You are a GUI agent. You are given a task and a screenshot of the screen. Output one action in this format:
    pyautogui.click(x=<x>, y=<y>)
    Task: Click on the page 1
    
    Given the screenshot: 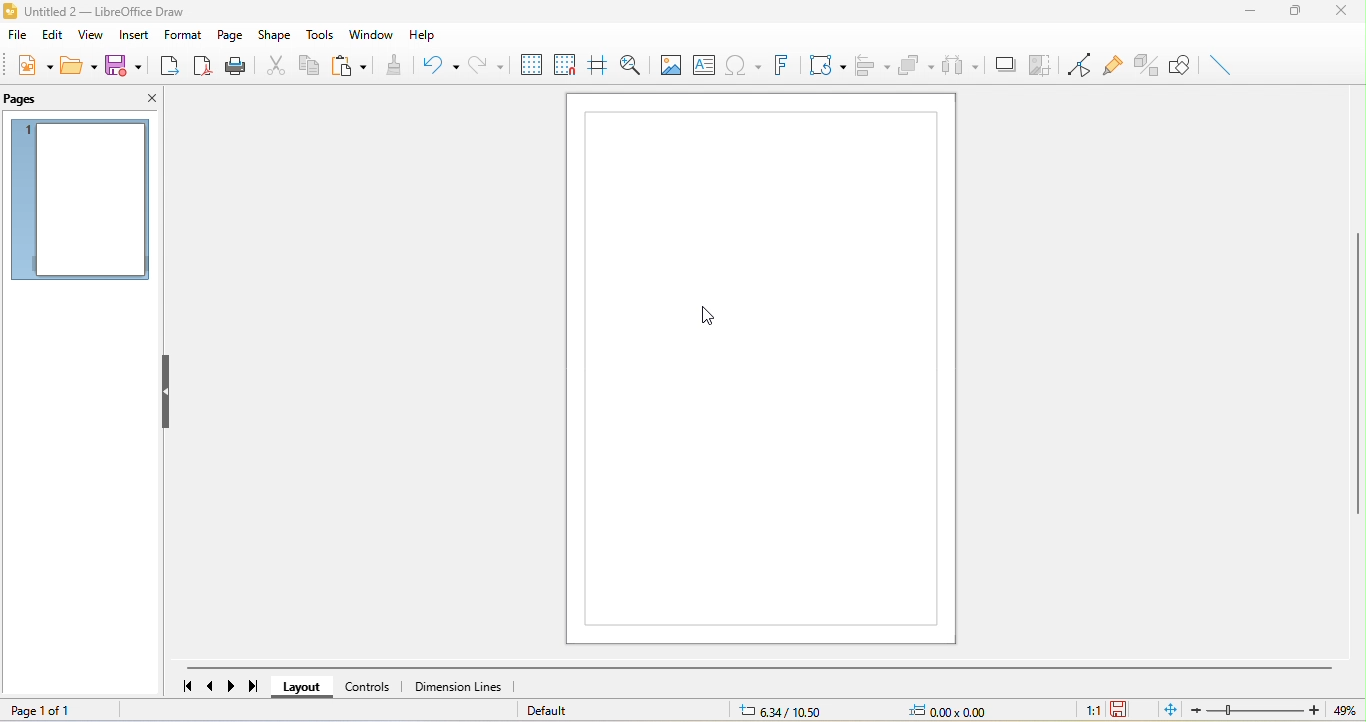 What is the action you would take?
    pyautogui.click(x=79, y=197)
    